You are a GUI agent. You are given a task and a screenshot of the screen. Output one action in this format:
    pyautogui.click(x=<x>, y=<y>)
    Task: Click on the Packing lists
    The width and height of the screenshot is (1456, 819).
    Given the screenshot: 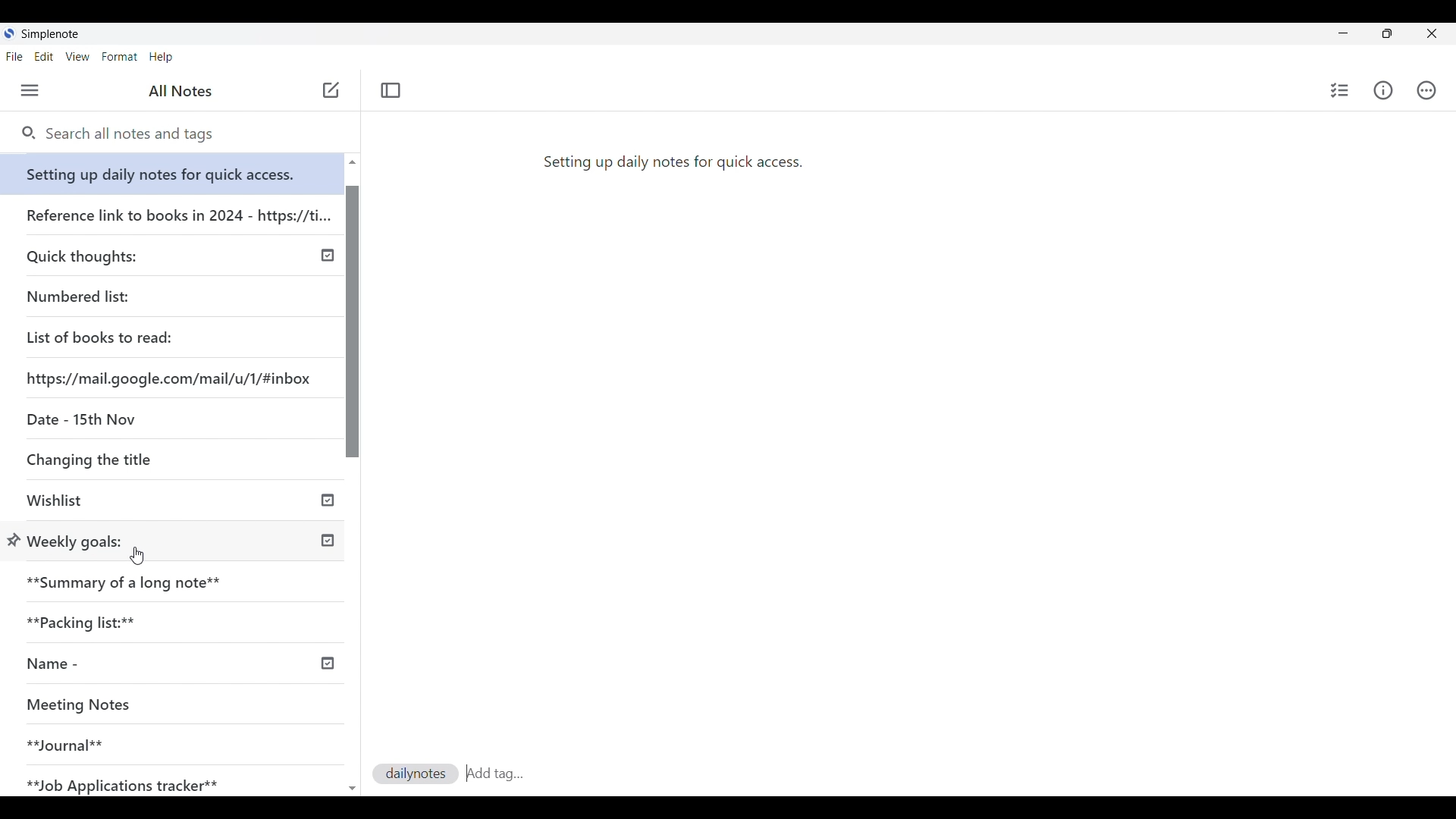 What is the action you would take?
    pyautogui.click(x=179, y=620)
    